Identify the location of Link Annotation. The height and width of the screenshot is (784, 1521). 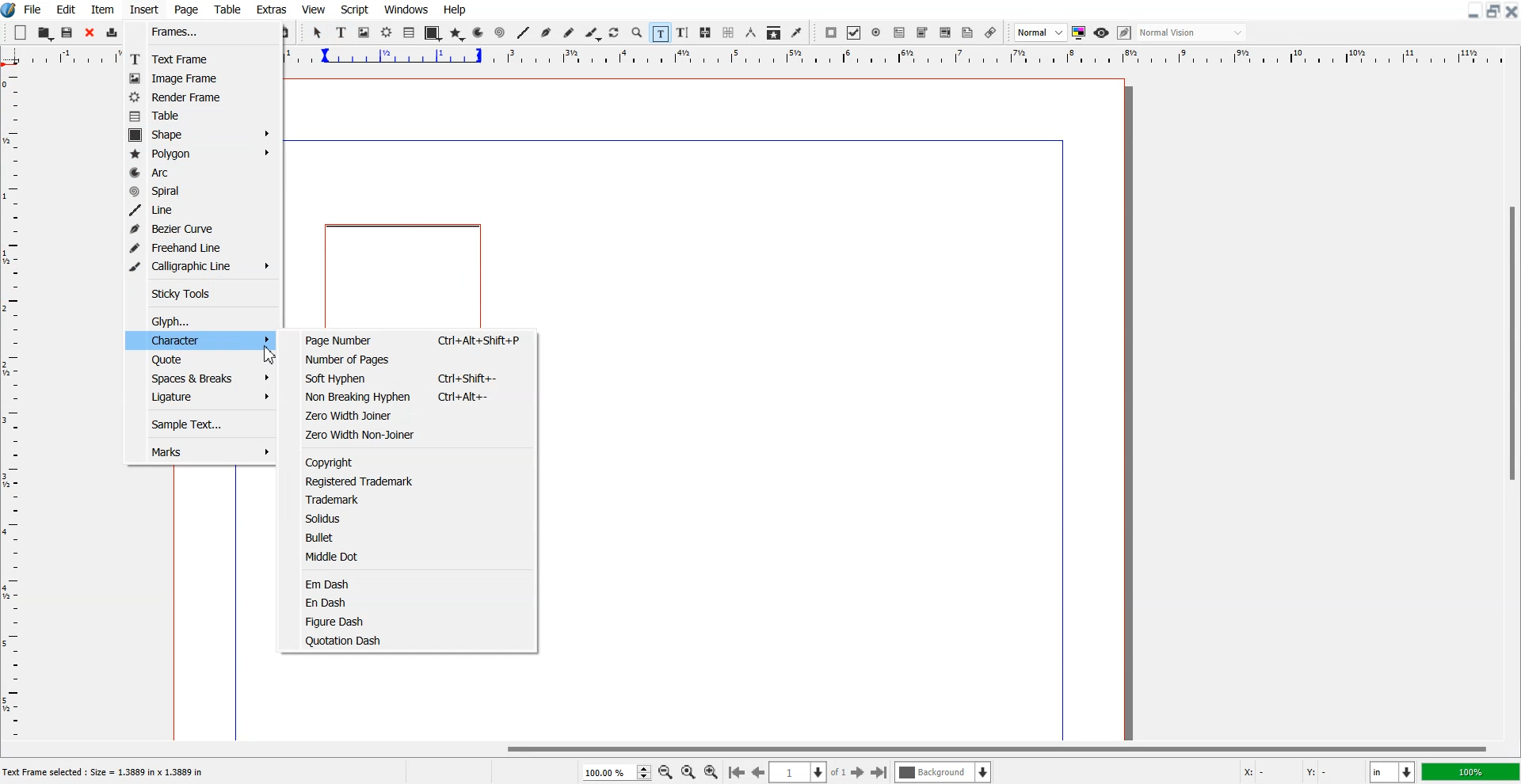
(990, 32).